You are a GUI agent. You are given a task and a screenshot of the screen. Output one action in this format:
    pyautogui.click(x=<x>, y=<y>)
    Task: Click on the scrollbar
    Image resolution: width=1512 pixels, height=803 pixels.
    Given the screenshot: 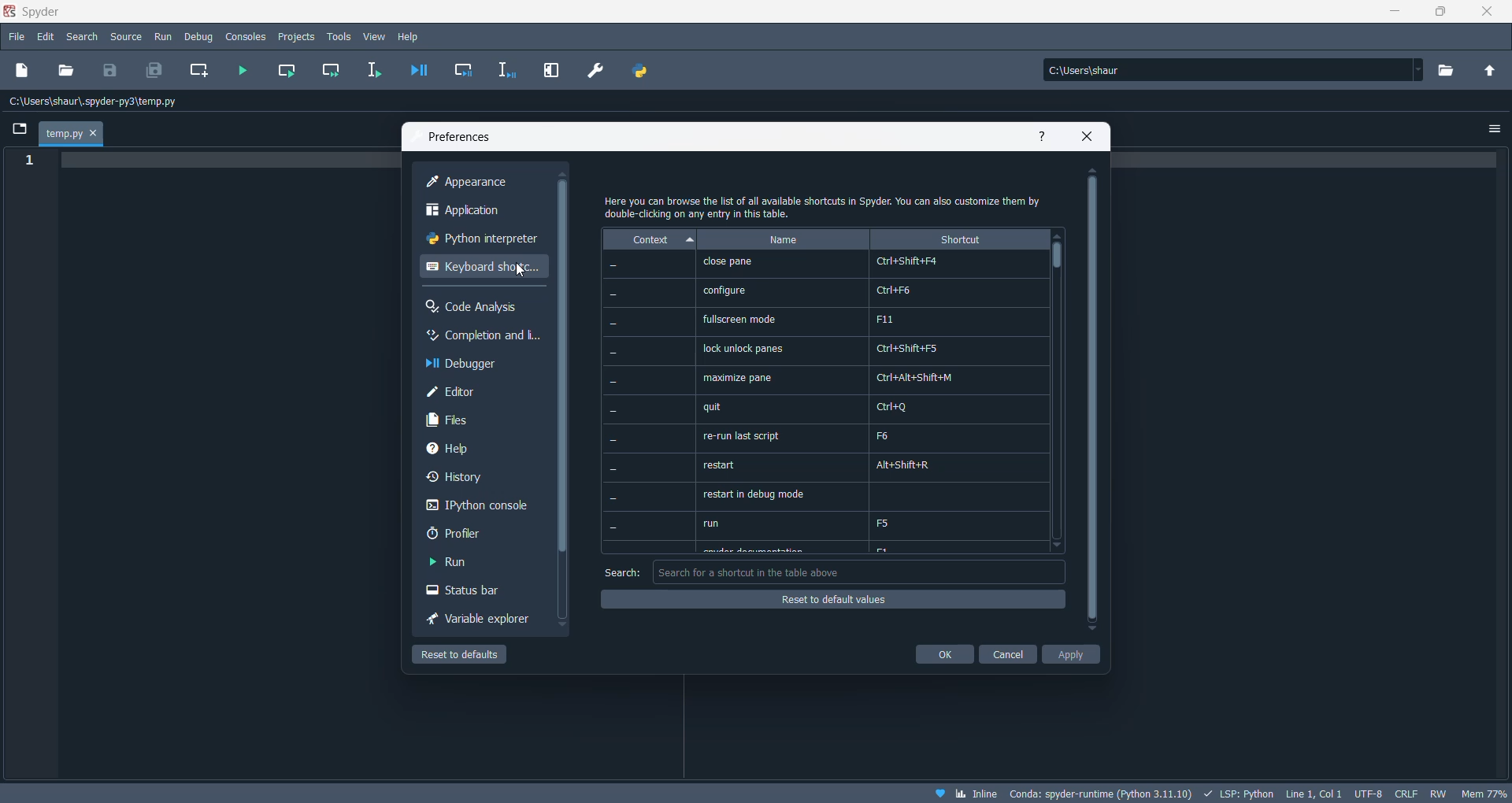 What is the action you would take?
    pyautogui.click(x=561, y=370)
    